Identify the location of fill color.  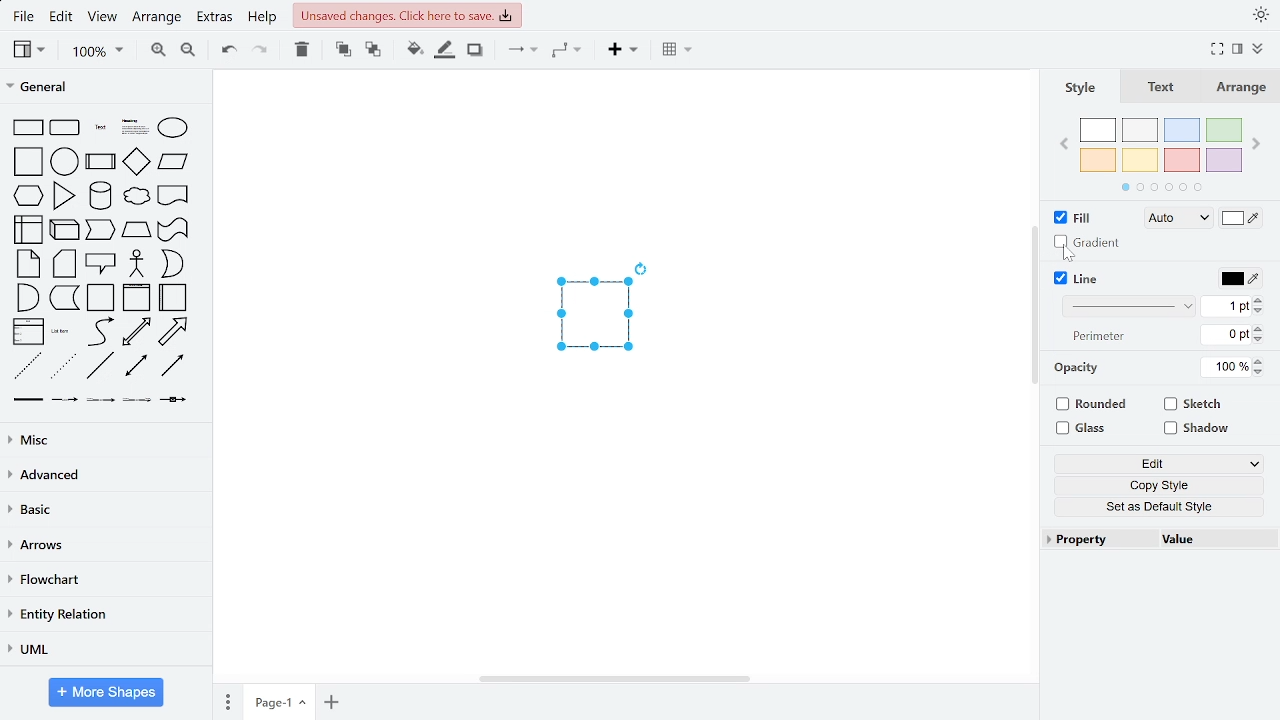
(414, 51).